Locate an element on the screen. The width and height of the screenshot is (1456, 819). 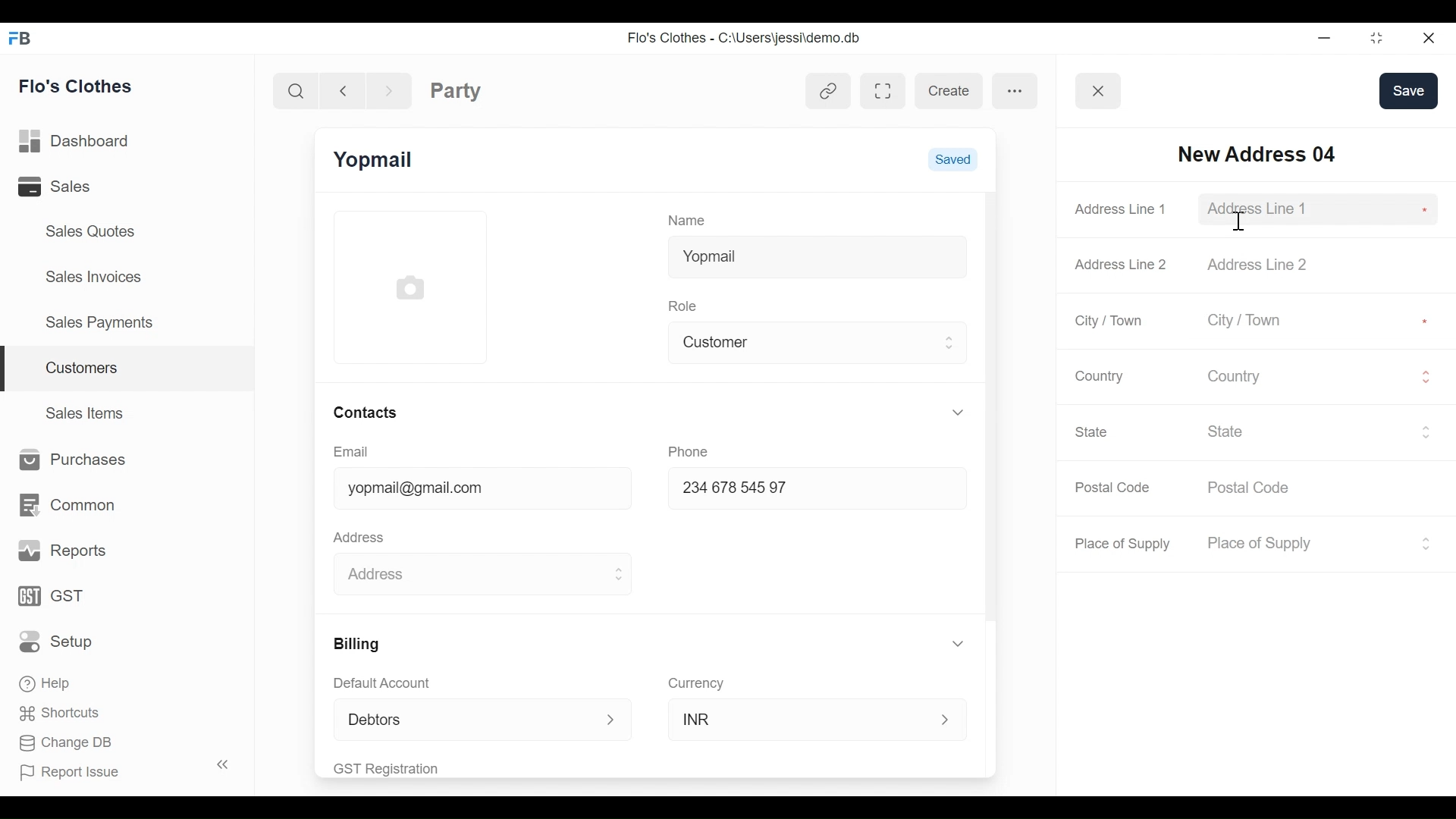
View linked entries is located at coordinates (828, 93).